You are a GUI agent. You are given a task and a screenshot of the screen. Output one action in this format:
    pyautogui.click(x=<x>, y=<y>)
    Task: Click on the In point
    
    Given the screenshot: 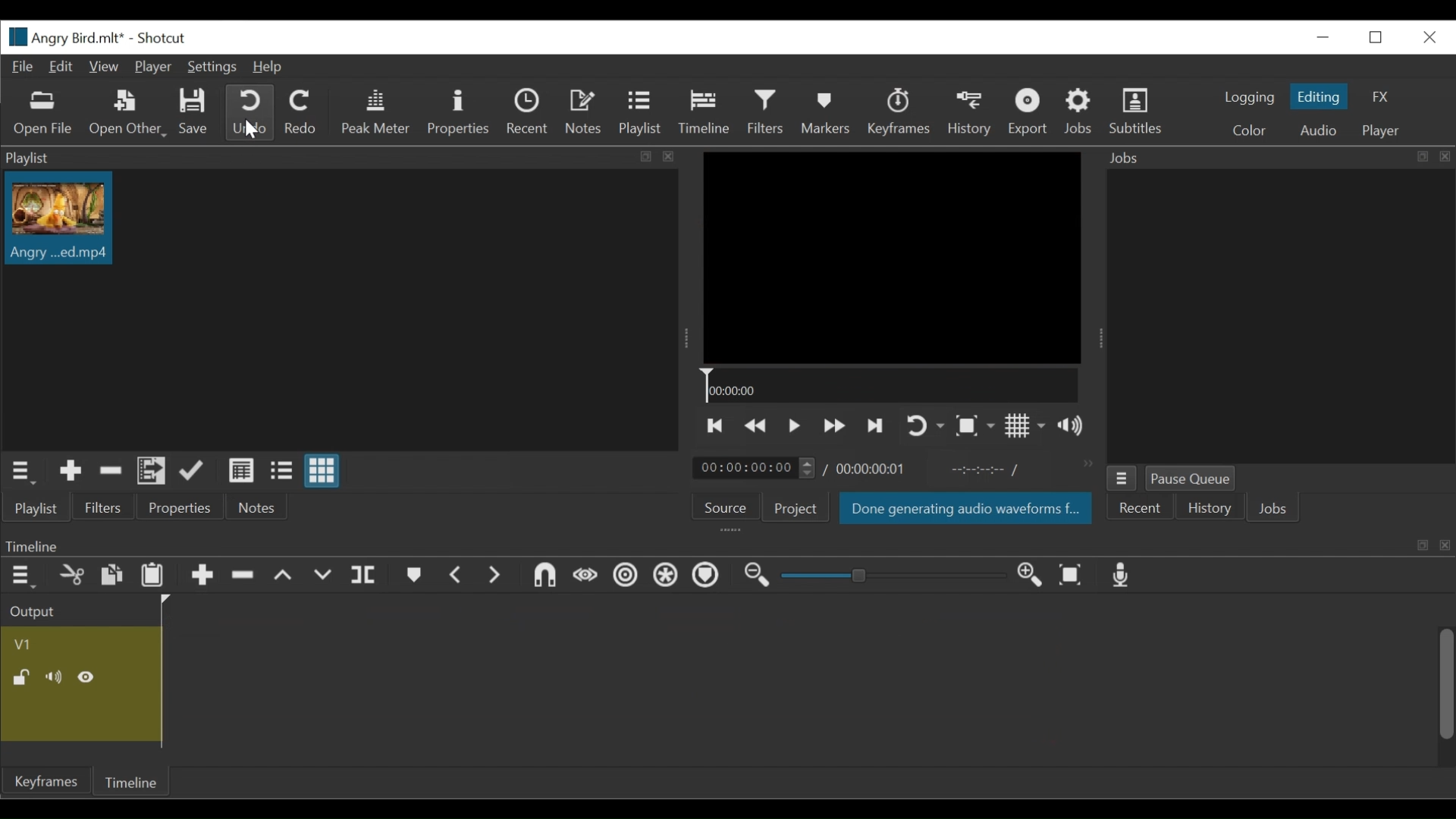 What is the action you would take?
    pyautogui.click(x=984, y=470)
    